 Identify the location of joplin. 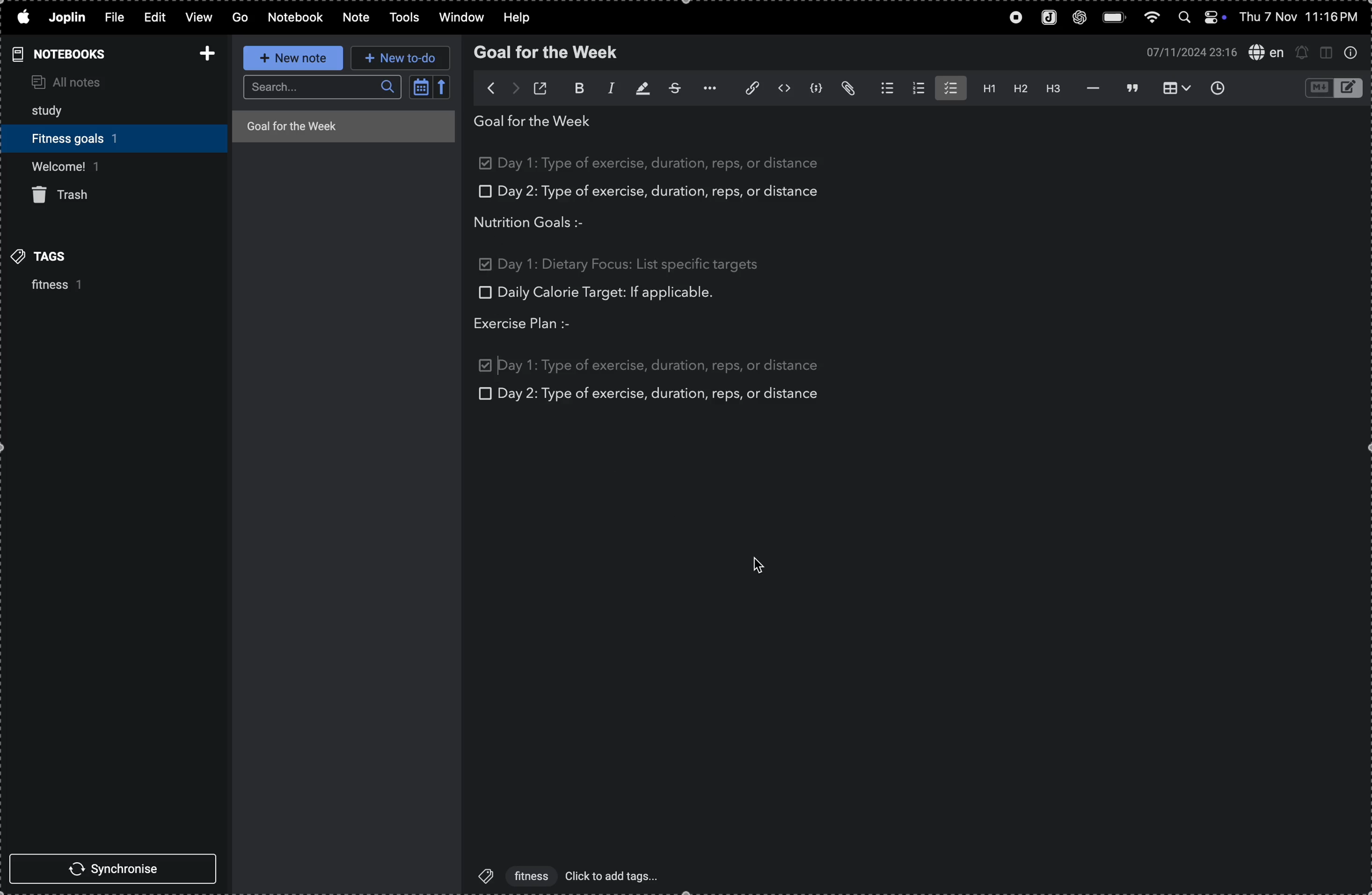
(1046, 17).